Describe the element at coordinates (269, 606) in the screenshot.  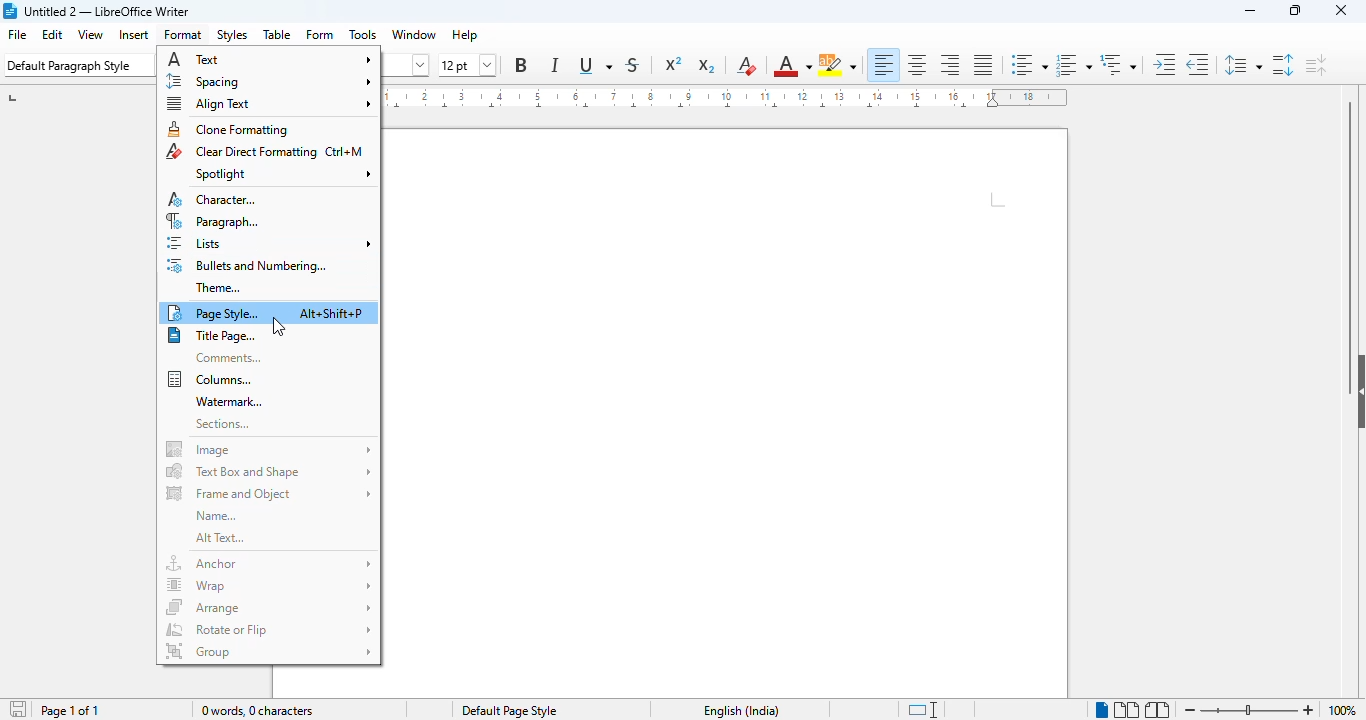
I see `arrange` at that location.